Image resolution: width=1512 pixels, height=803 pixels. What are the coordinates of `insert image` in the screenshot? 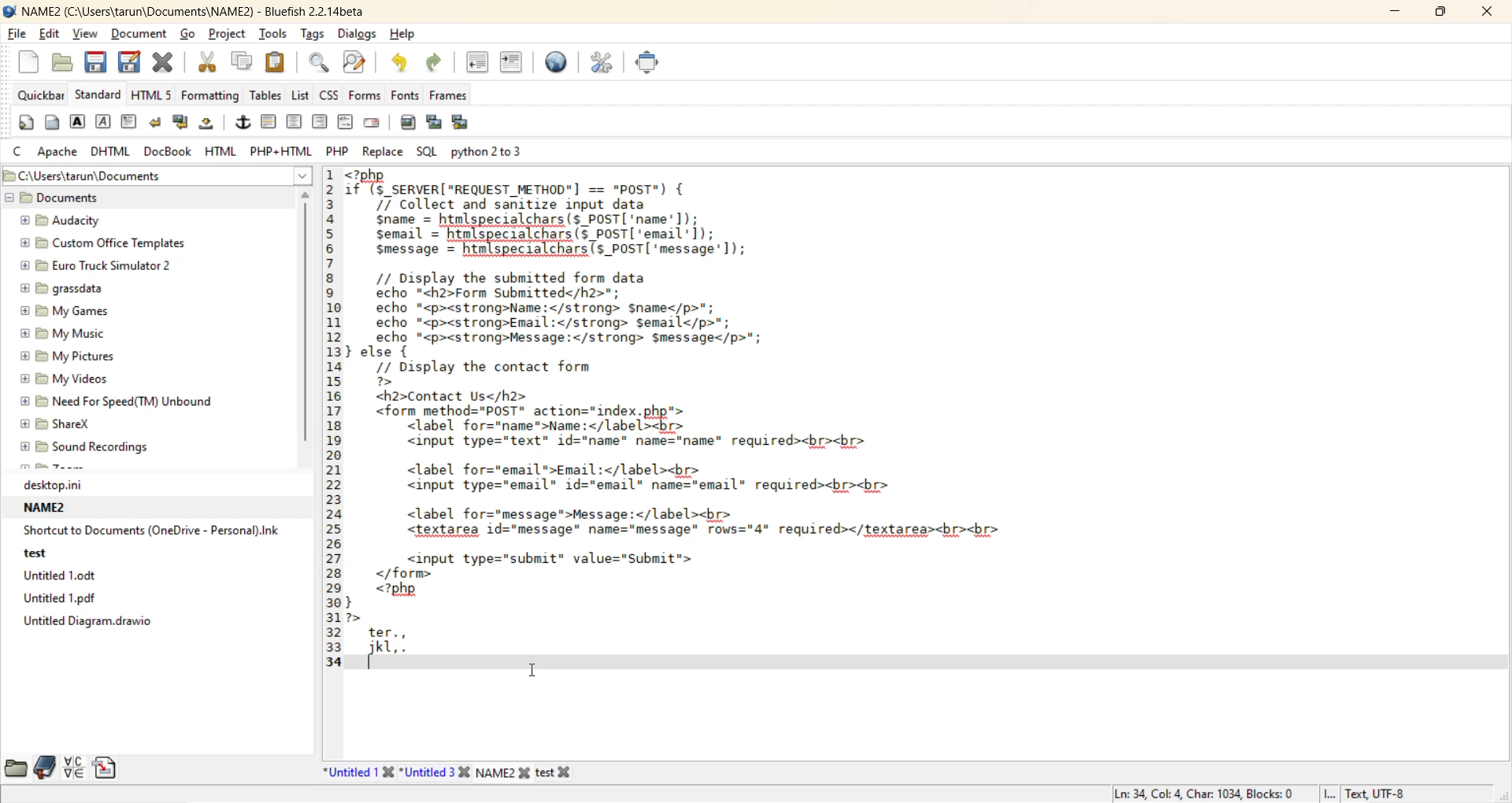 It's located at (407, 124).